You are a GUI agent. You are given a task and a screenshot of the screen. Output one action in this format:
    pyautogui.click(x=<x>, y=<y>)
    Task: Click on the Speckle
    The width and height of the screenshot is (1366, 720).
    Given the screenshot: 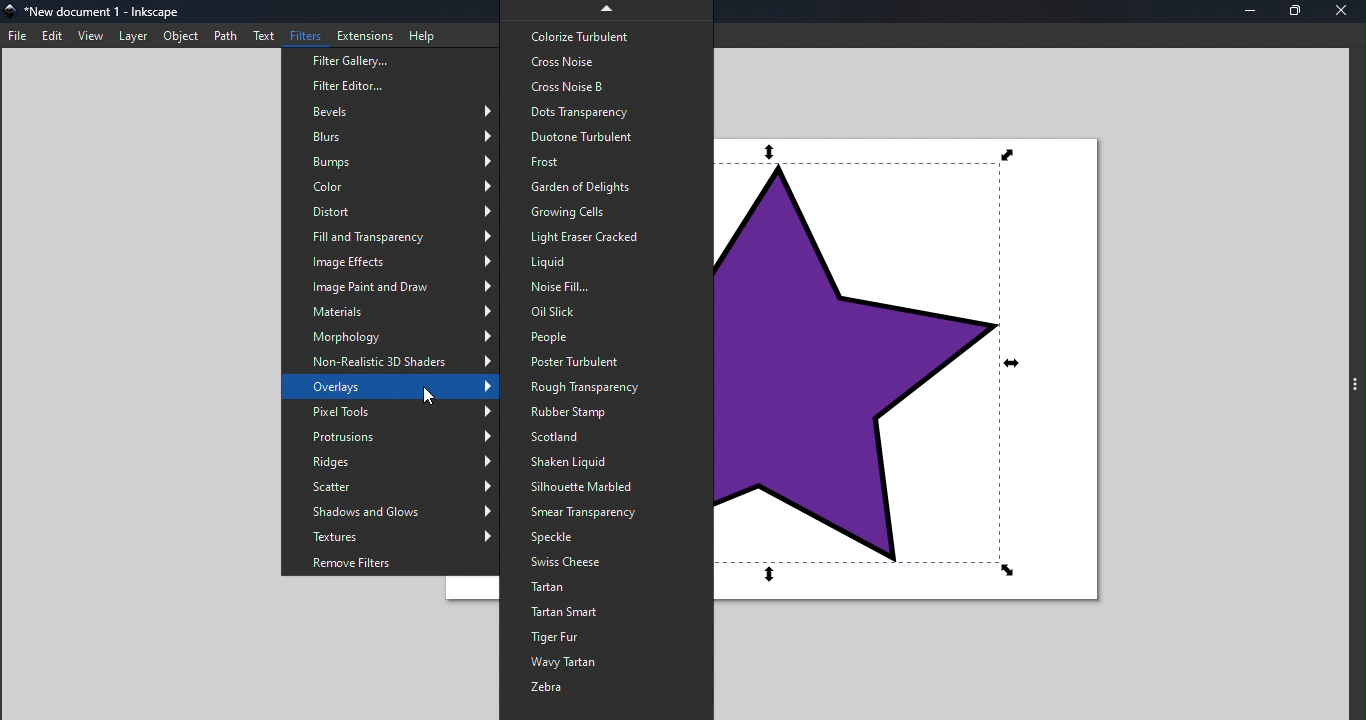 What is the action you would take?
    pyautogui.click(x=608, y=538)
    